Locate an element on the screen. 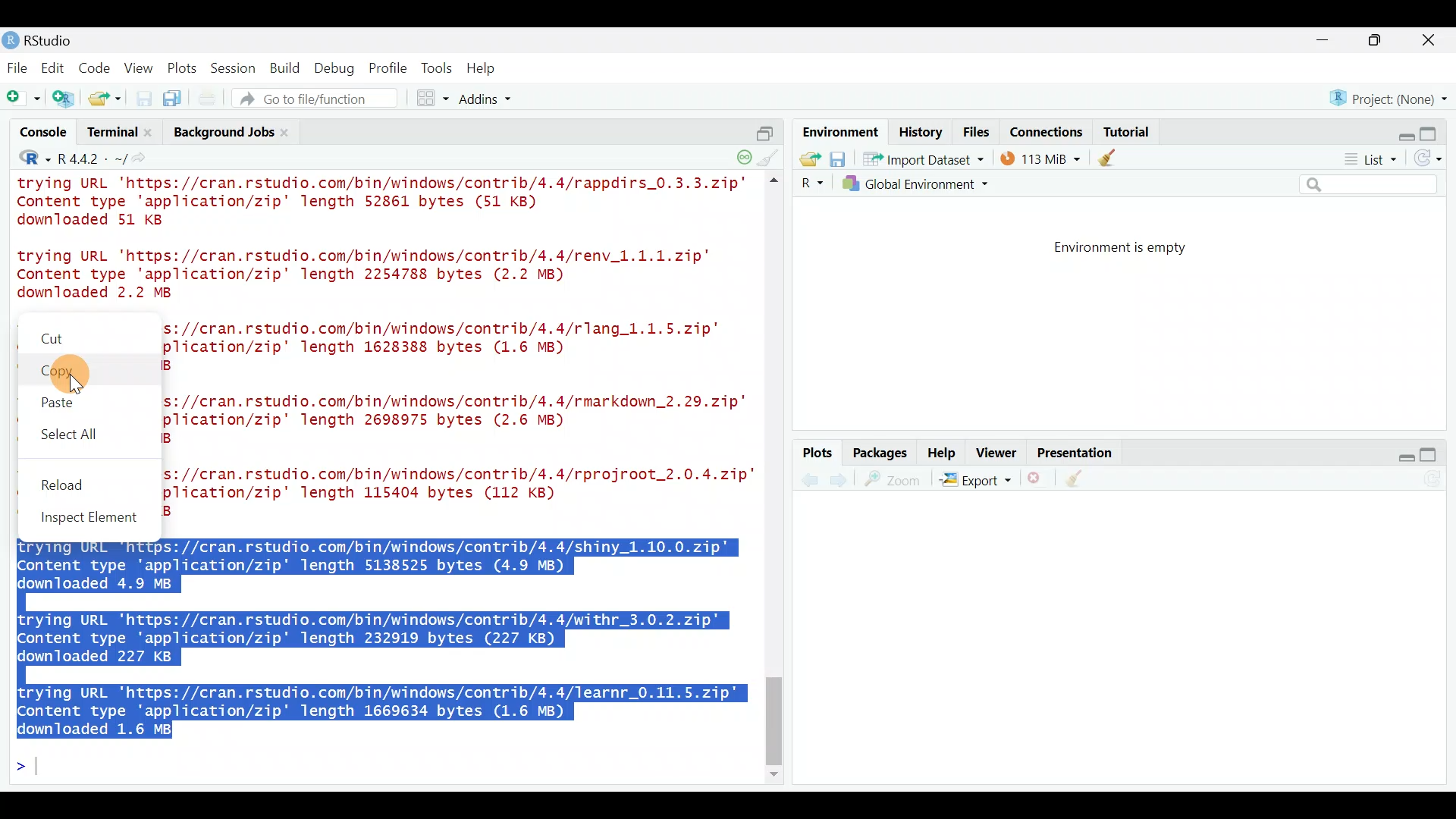  session suspend timeout paused - a child session is running is located at coordinates (743, 152).